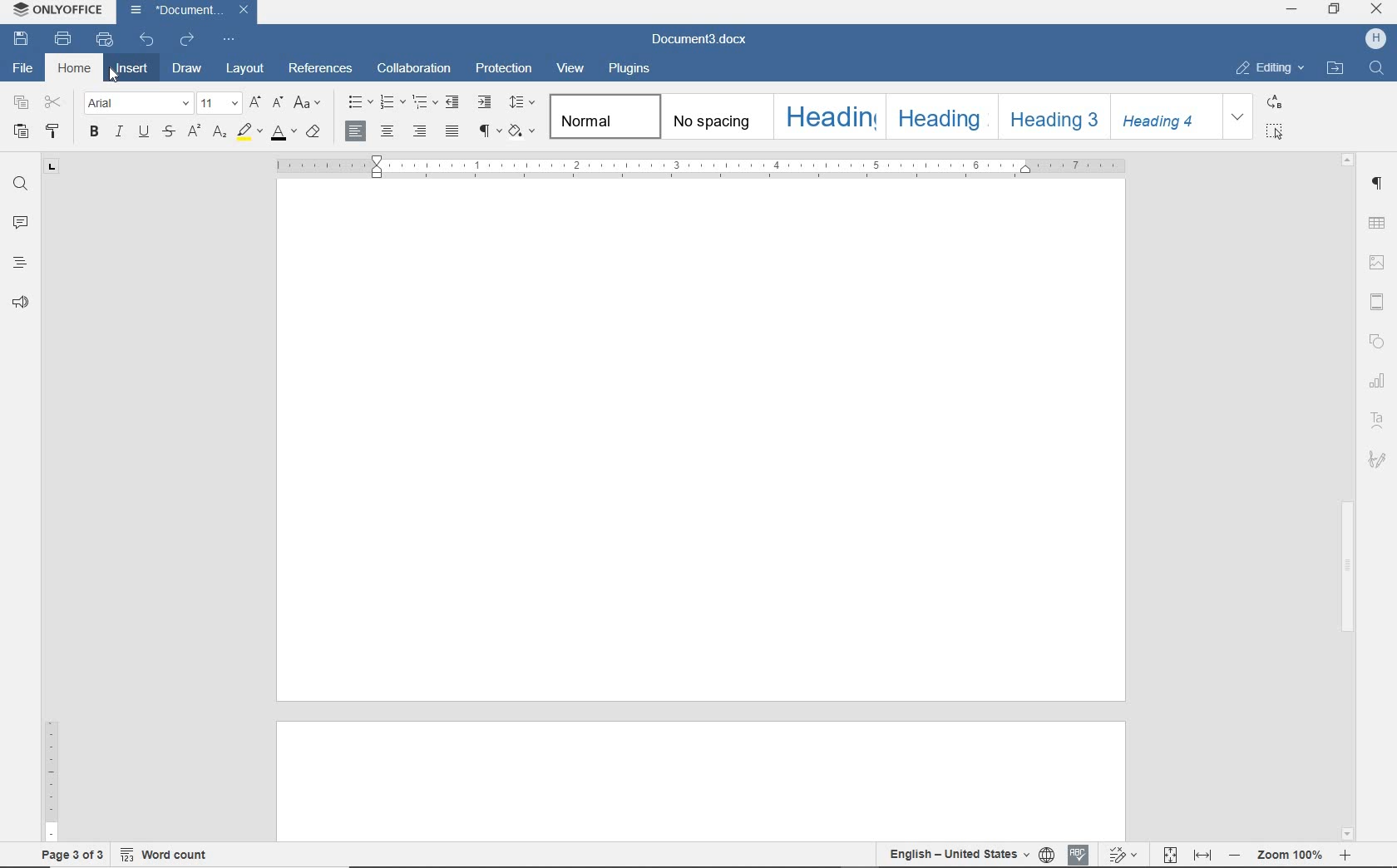 The height and width of the screenshot is (868, 1397). Describe the element at coordinates (1343, 858) in the screenshot. I see `Zoom In` at that location.